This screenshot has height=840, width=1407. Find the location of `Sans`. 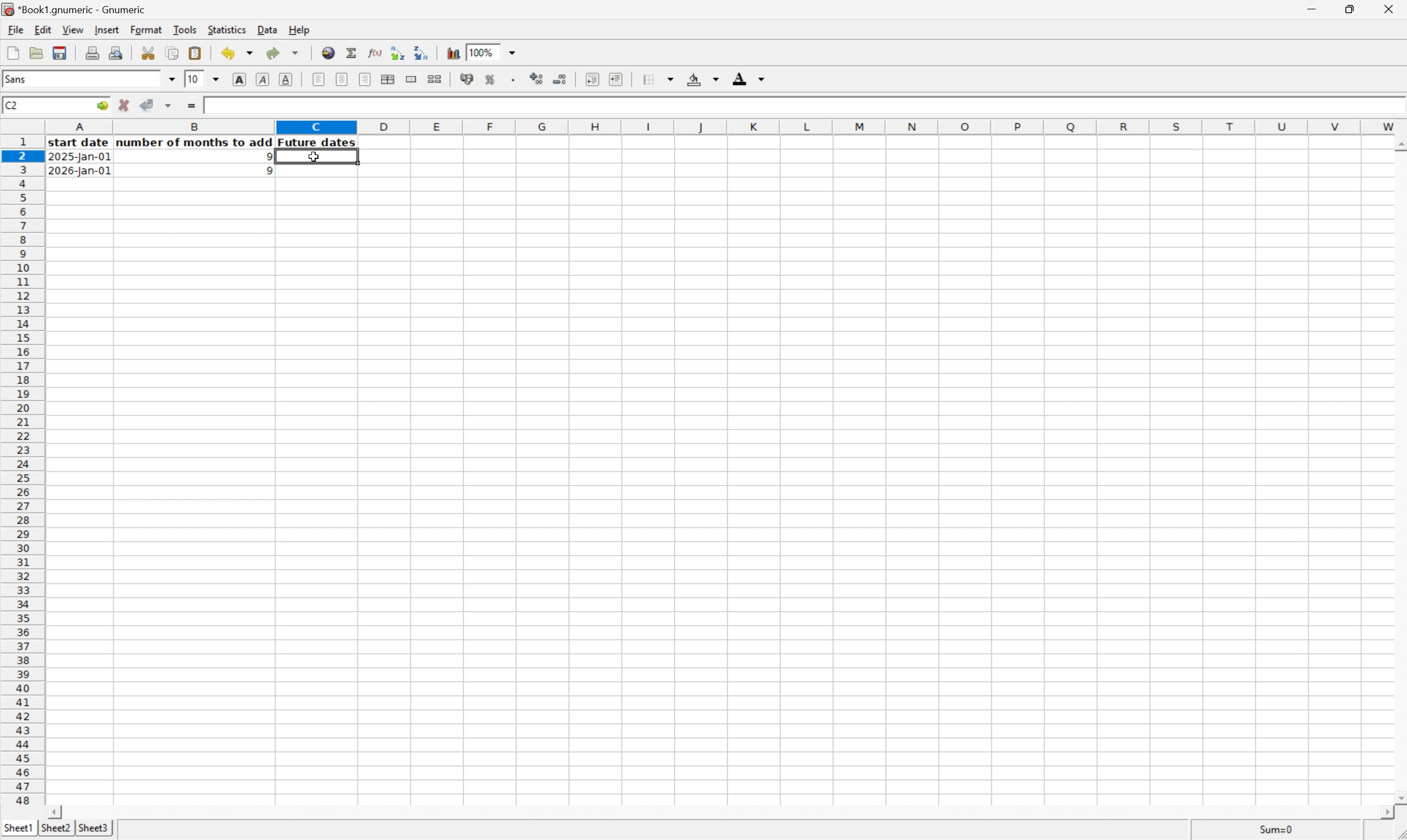

Sans is located at coordinates (22, 79).